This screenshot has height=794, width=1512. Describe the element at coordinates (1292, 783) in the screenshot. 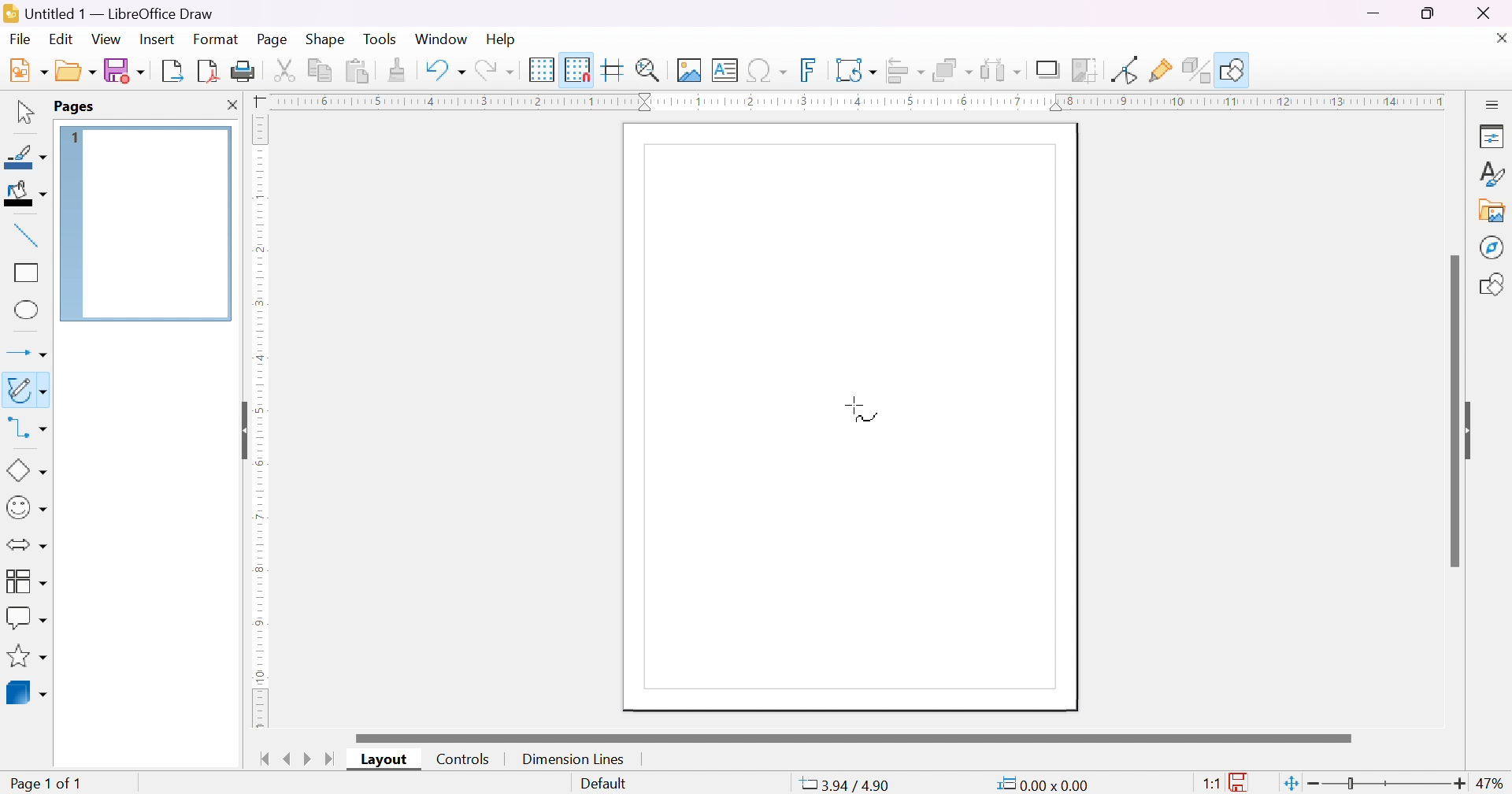

I see `fit page to current window` at that location.